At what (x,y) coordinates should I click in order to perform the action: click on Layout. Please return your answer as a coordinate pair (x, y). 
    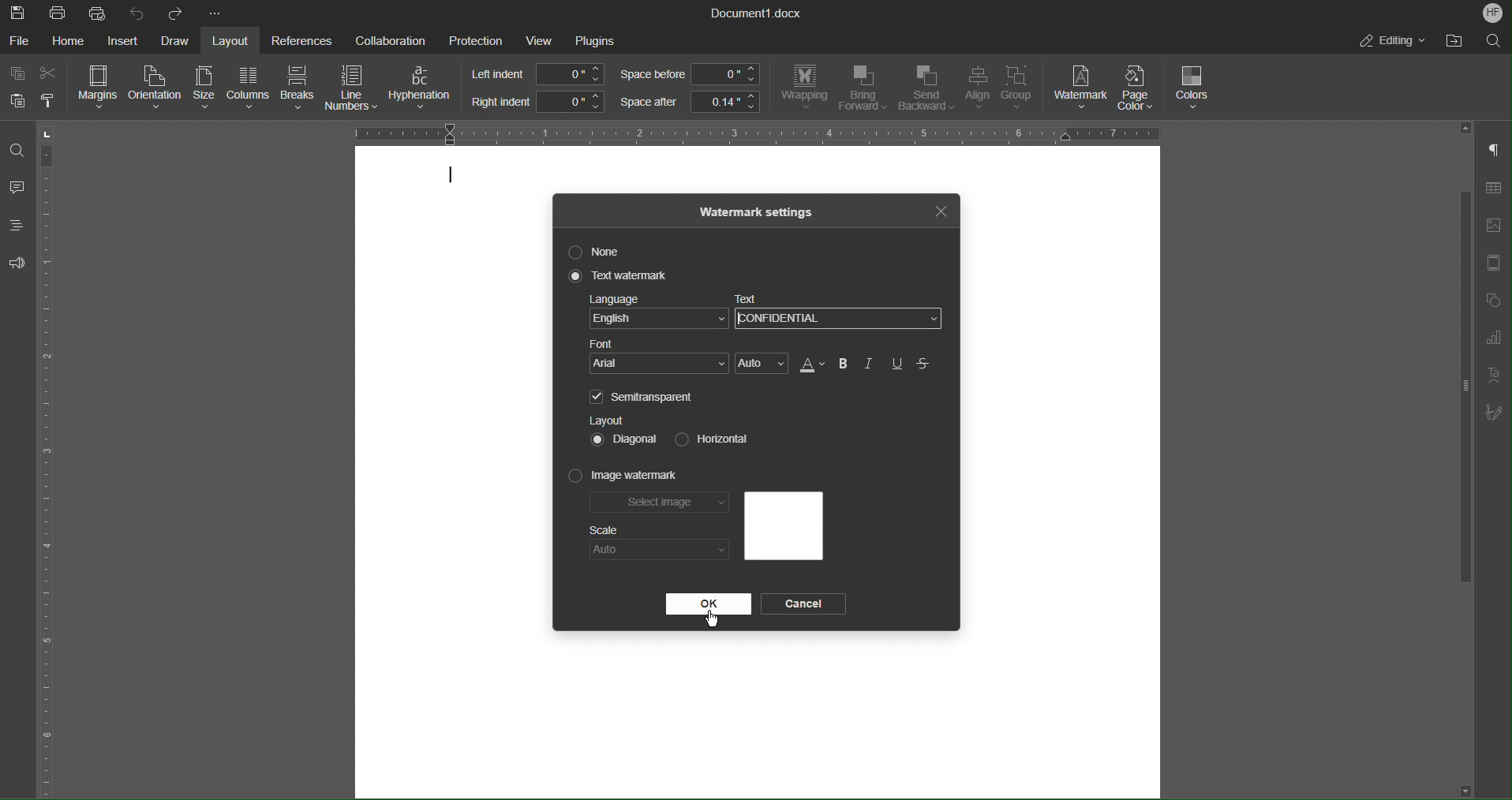
    Looking at the image, I should click on (607, 420).